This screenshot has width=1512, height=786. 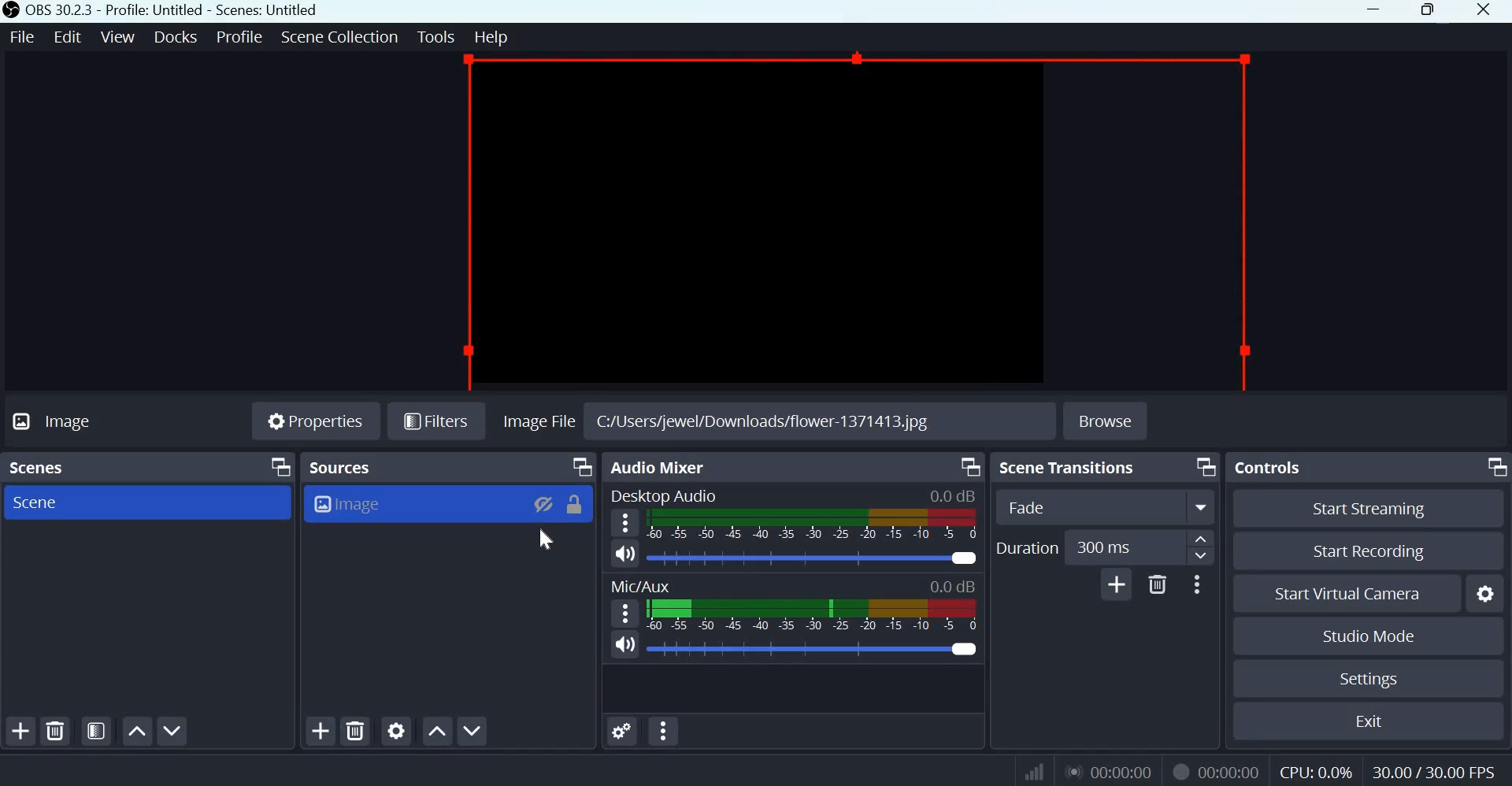 I want to click on Settings, so click(x=1366, y=677).